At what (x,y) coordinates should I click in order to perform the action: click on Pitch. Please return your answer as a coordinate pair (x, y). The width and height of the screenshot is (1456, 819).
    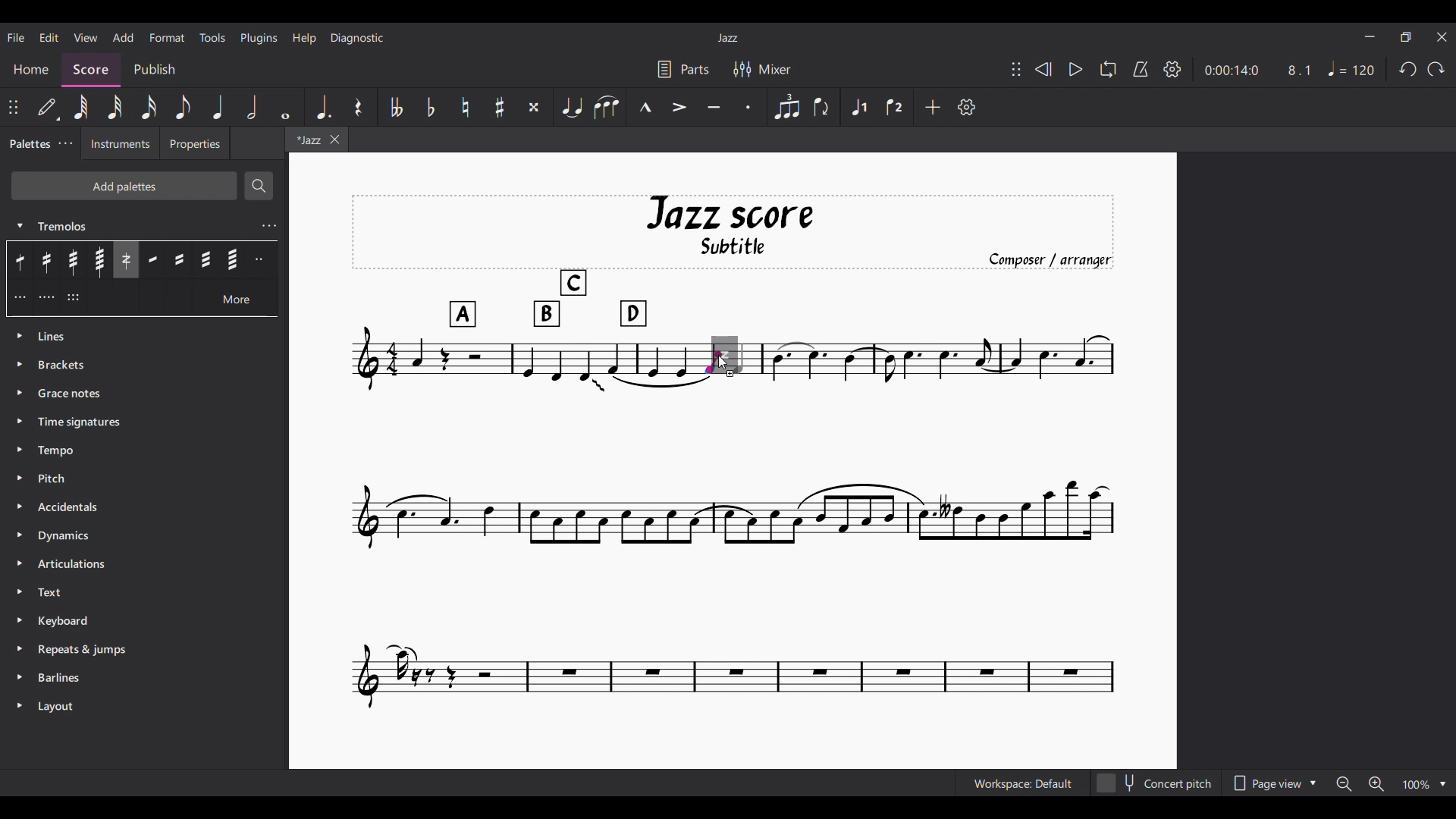
    Looking at the image, I should click on (145, 479).